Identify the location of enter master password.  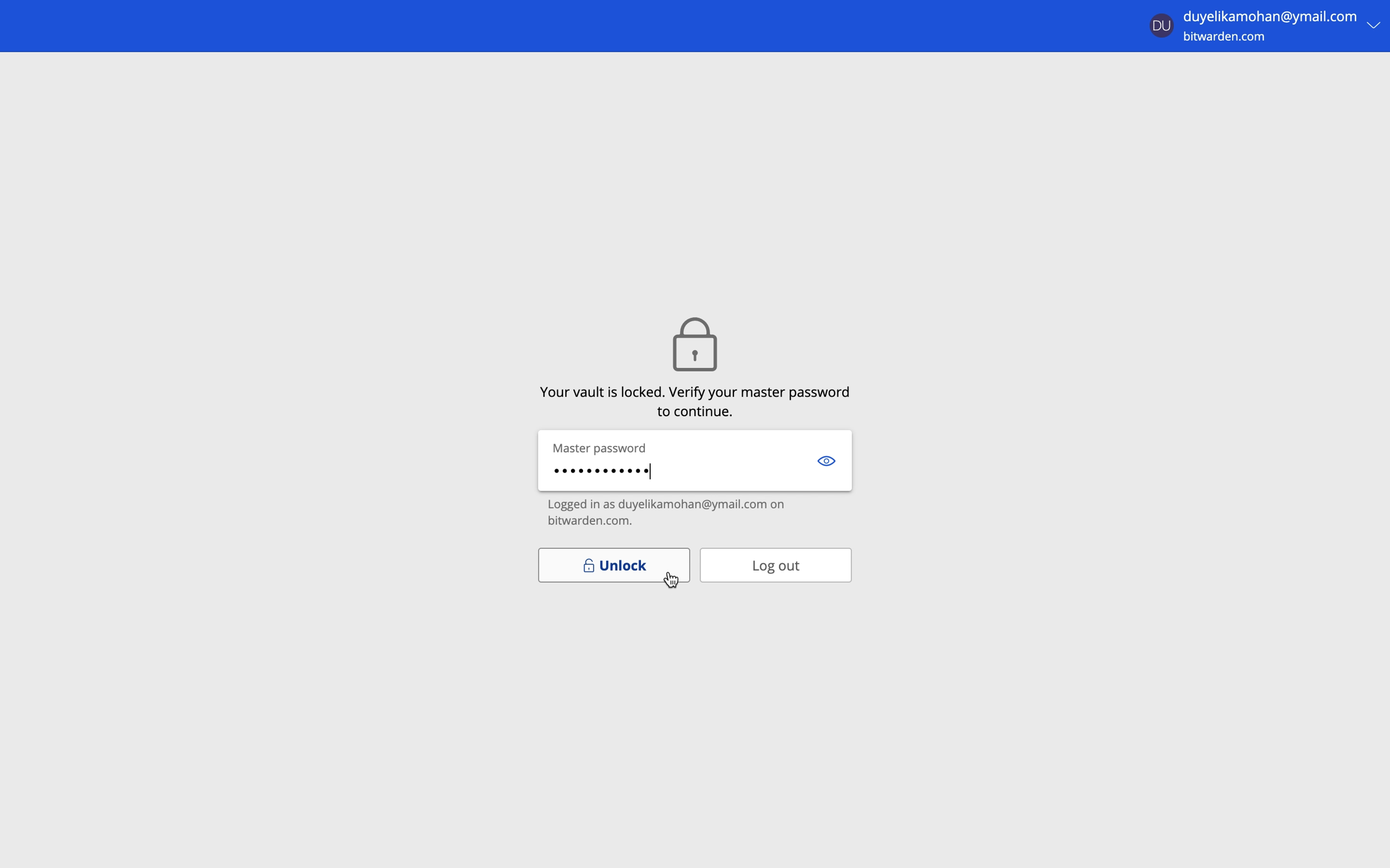
(673, 475).